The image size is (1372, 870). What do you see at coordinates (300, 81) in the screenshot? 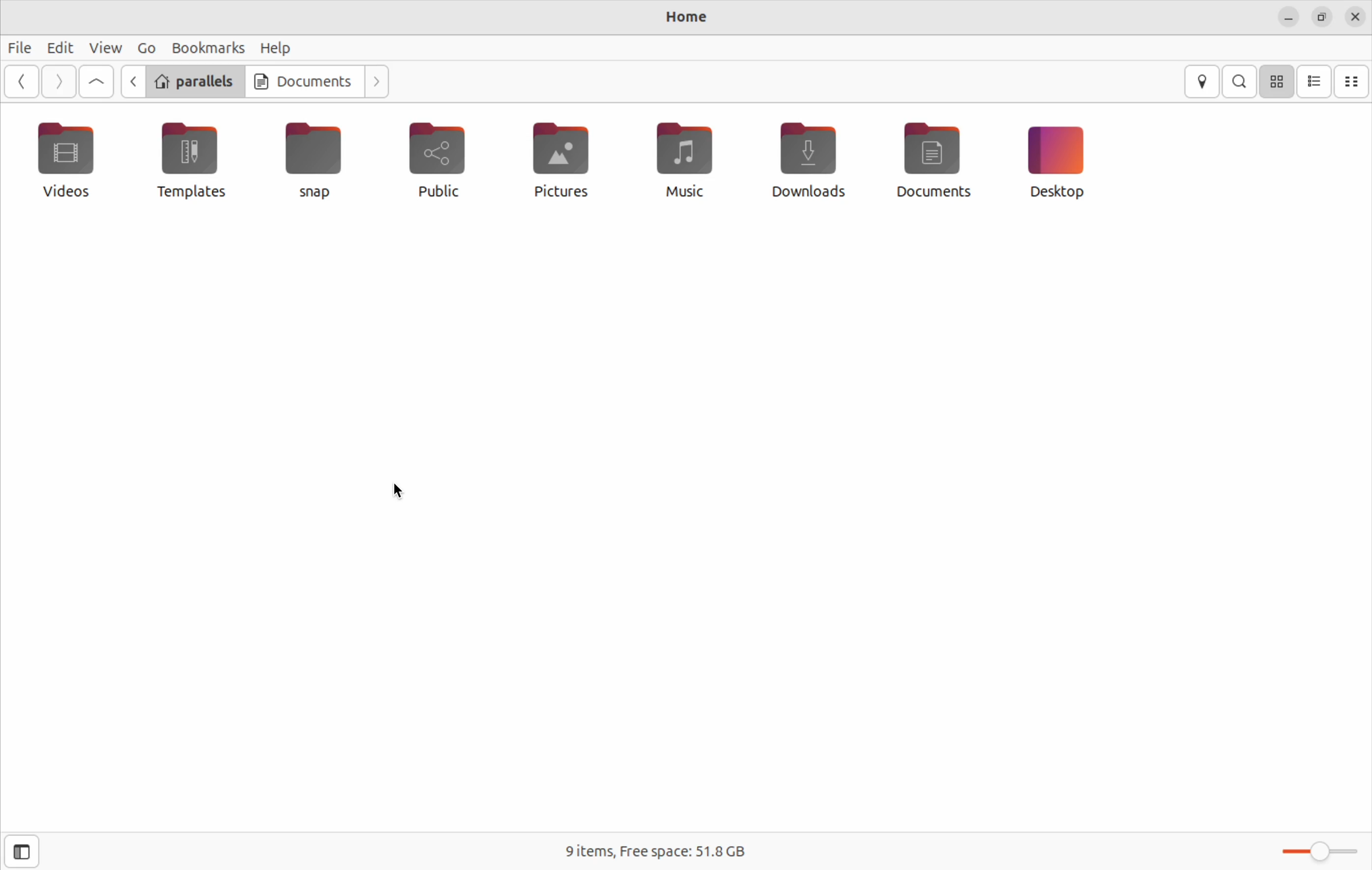
I see `documents` at bounding box center [300, 81].